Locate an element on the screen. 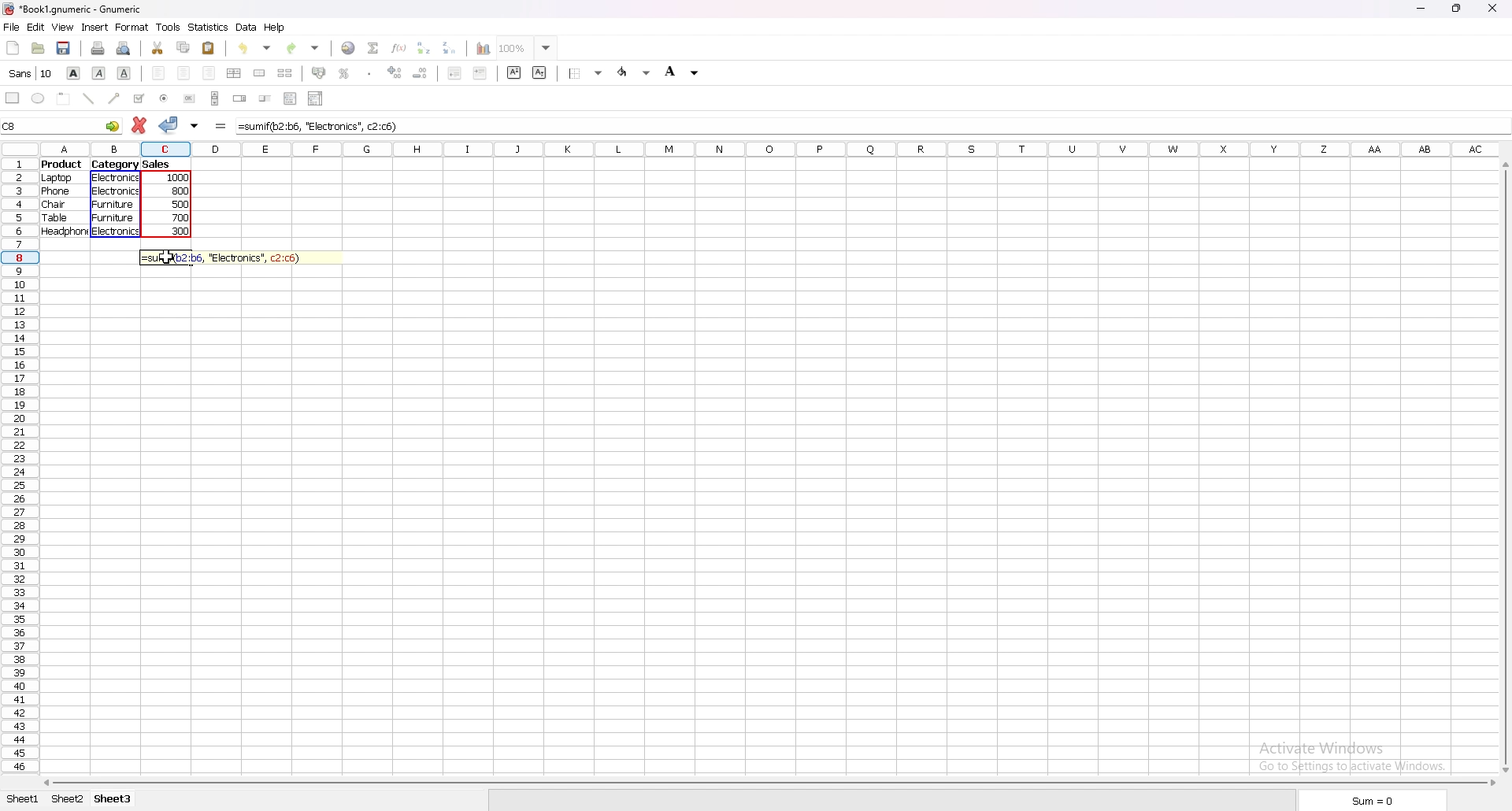  file is located at coordinates (13, 27).